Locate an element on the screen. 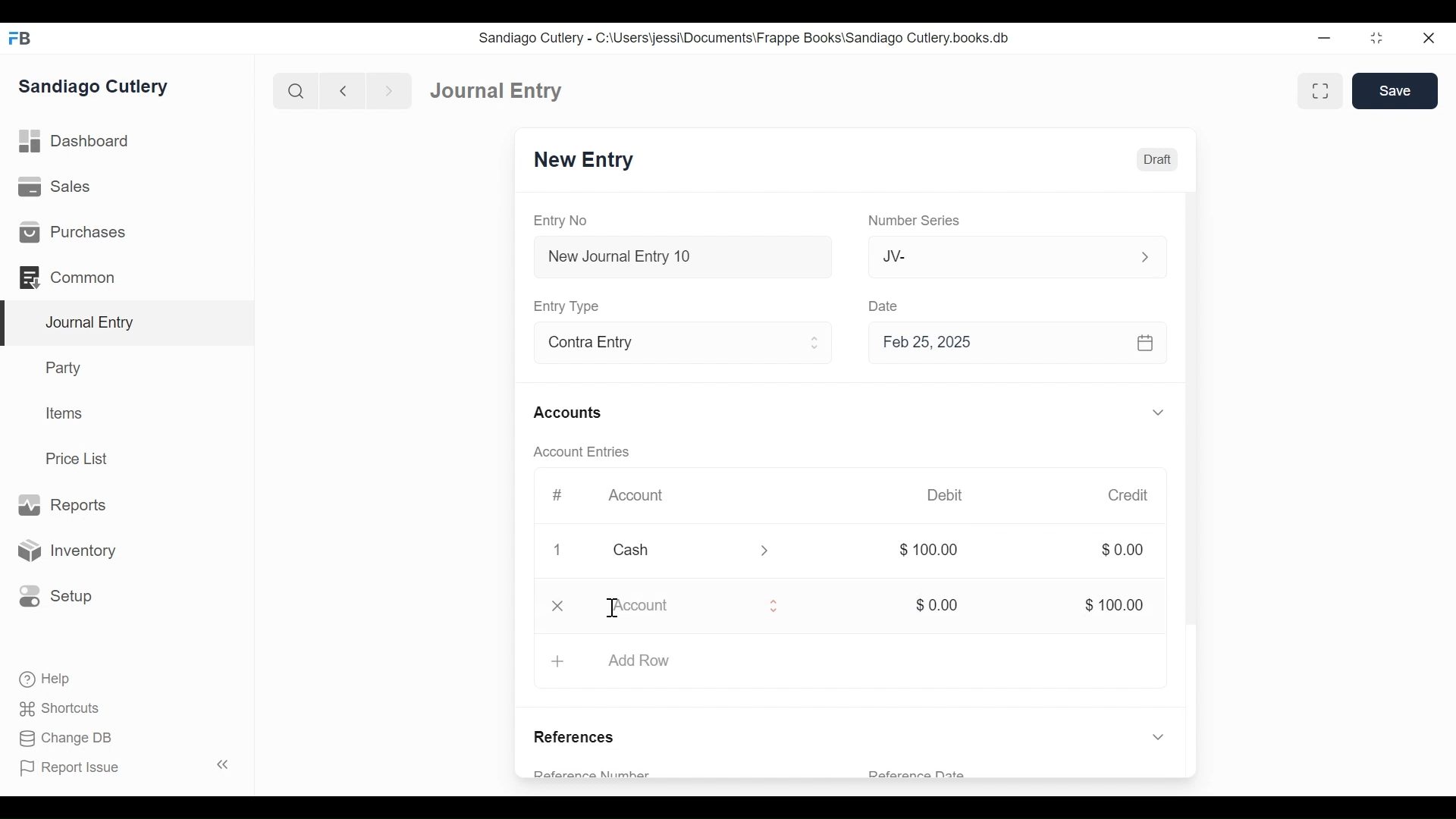 Image resolution: width=1456 pixels, height=819 pixels. Inventory is located at coordinates (71, 550).